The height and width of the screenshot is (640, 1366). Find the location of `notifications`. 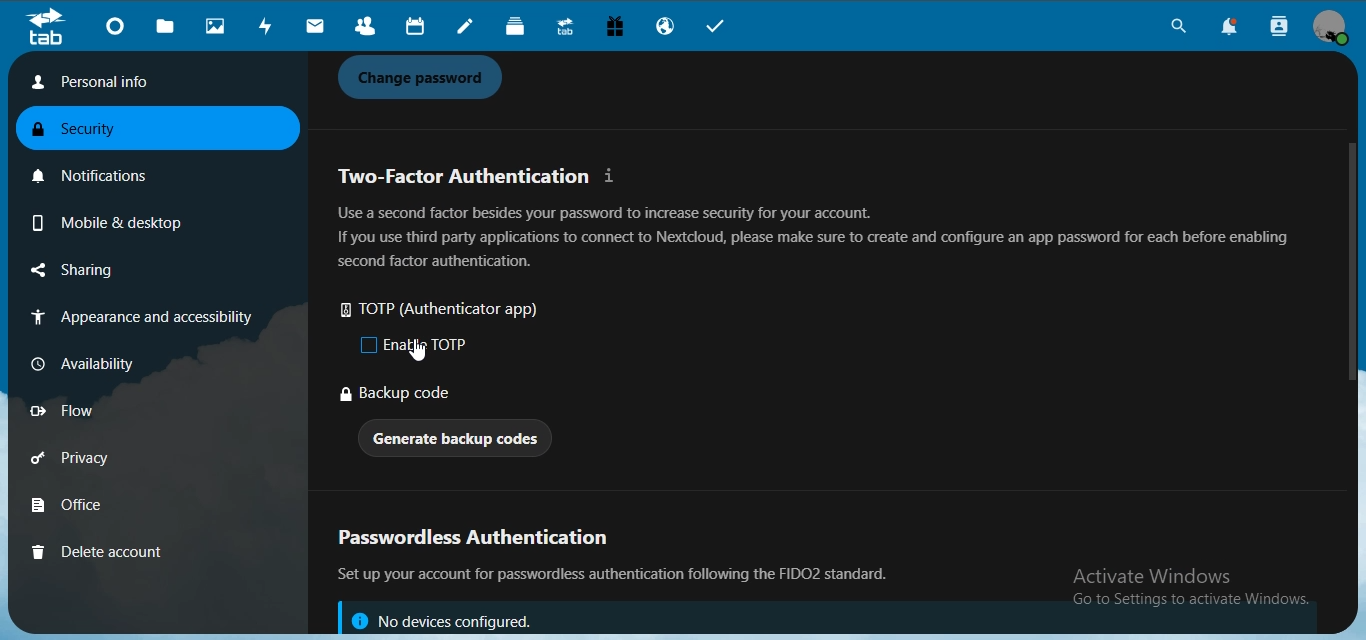

notifications is located at coordinates (1236, 28).